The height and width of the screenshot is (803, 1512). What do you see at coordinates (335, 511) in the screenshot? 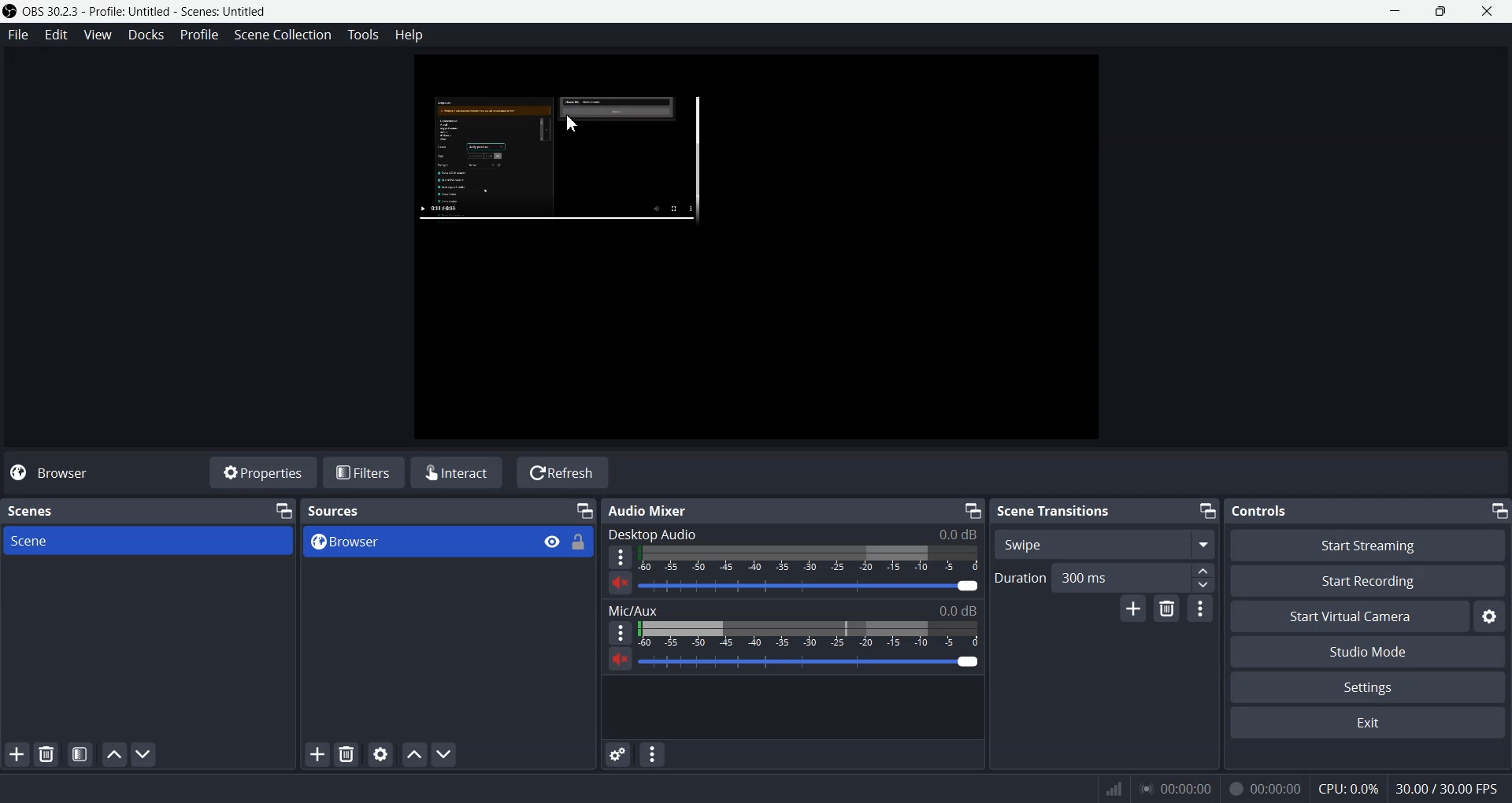
I see `Sources` at bounding box center [335, 511].